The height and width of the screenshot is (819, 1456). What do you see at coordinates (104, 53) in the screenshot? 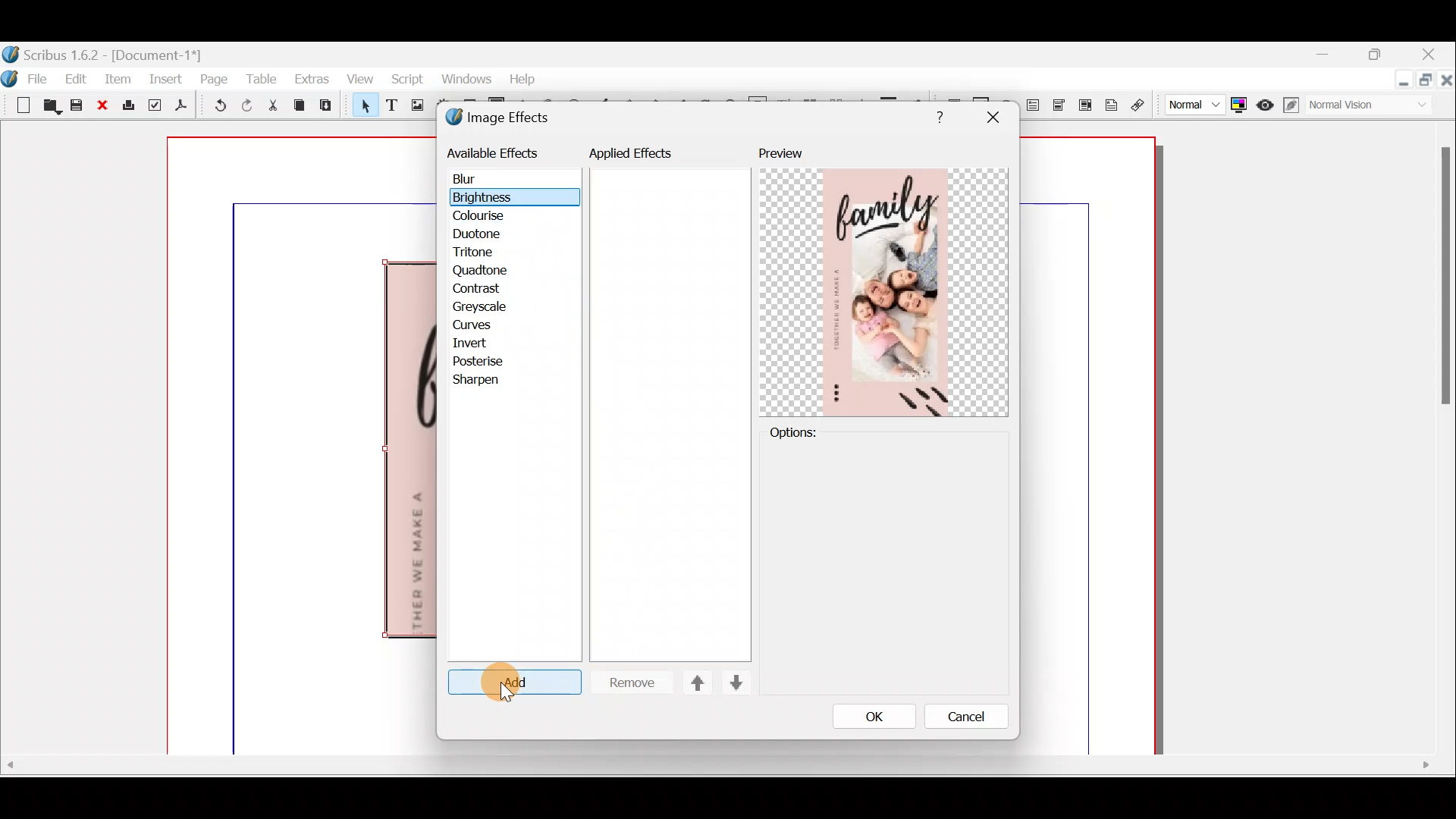
I see `Document name` at bounding box center [104, 53].